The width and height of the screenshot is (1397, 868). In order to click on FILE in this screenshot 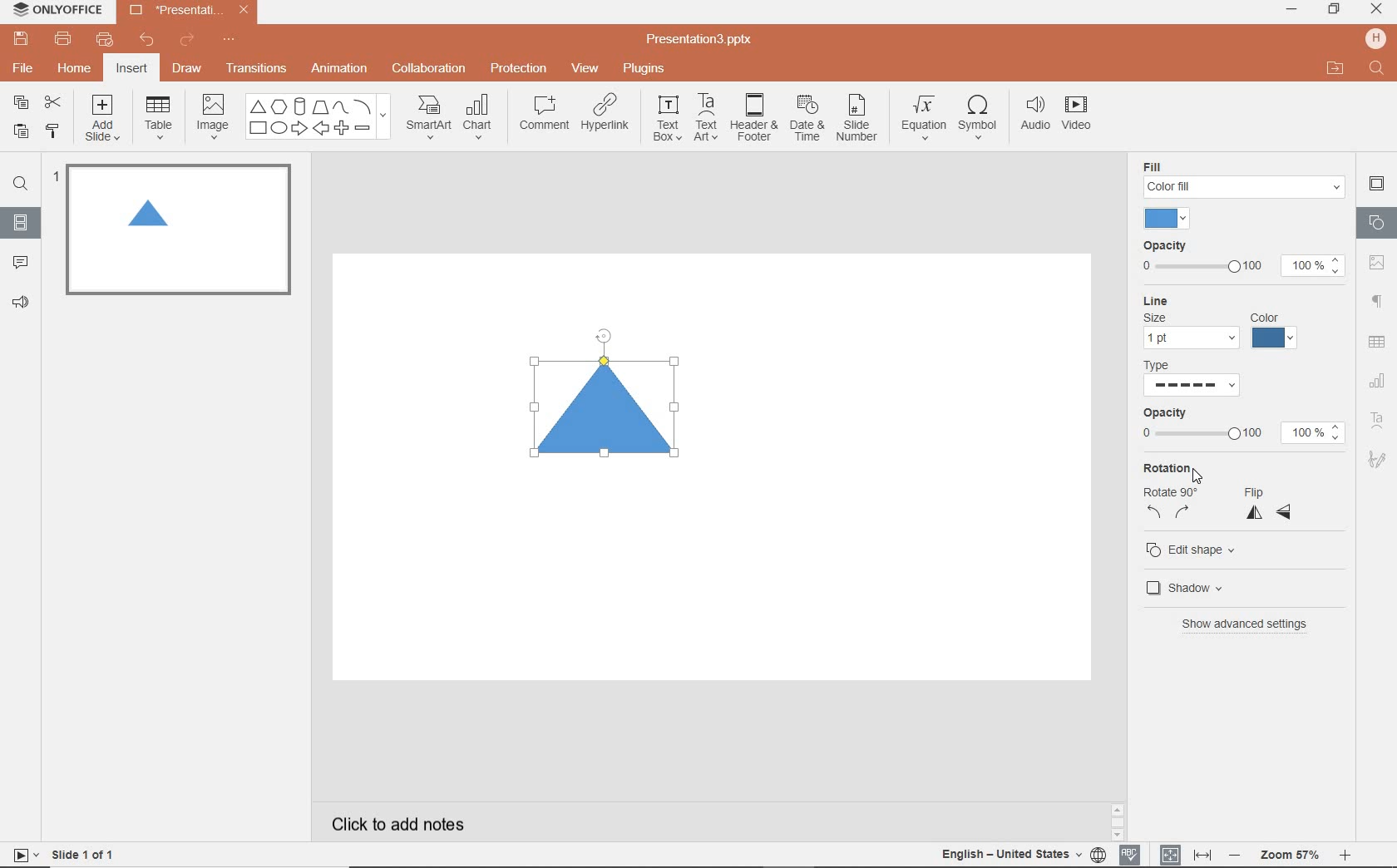, I will do `click(25, 66)`.